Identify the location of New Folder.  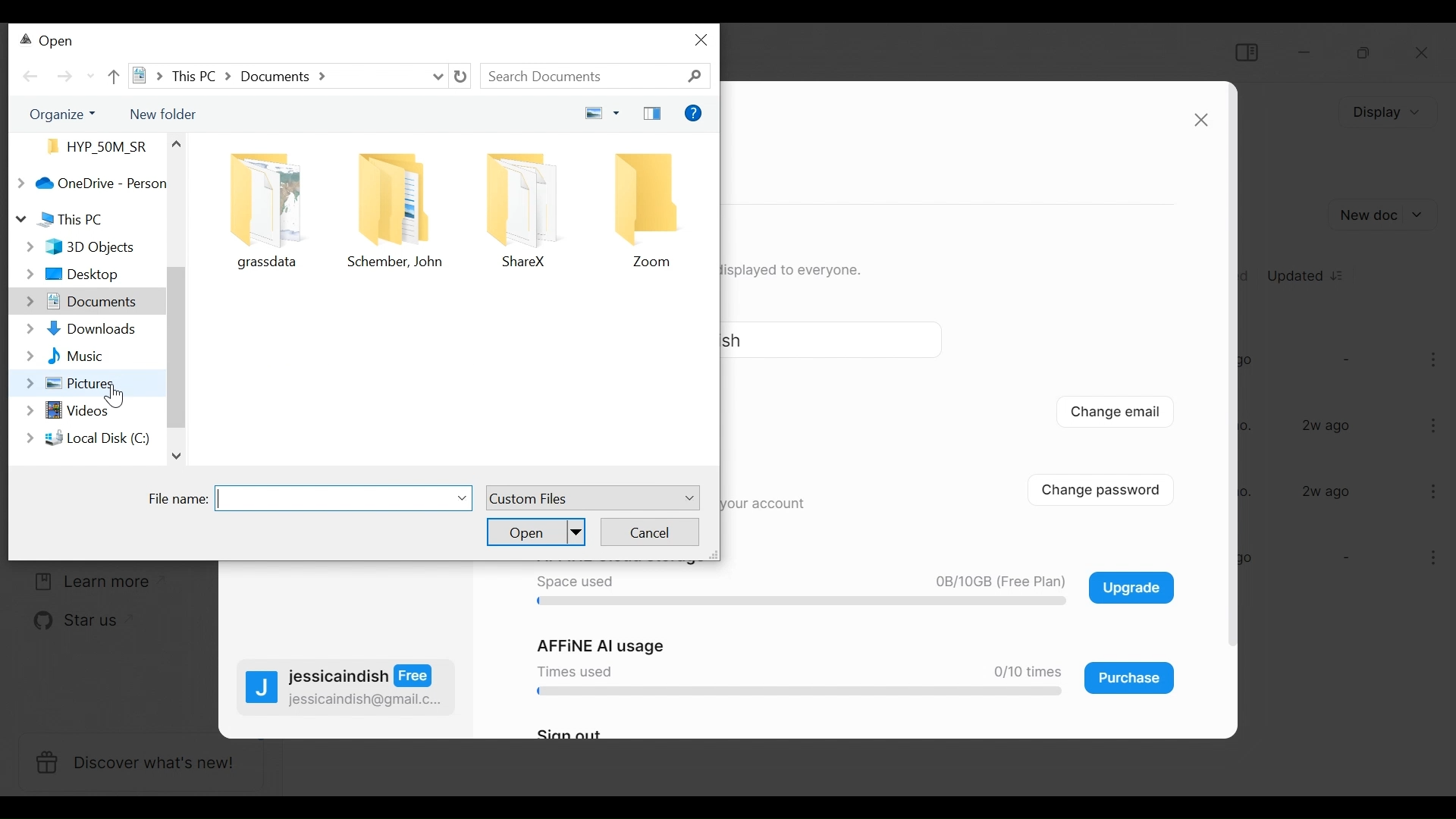
(161, 112).